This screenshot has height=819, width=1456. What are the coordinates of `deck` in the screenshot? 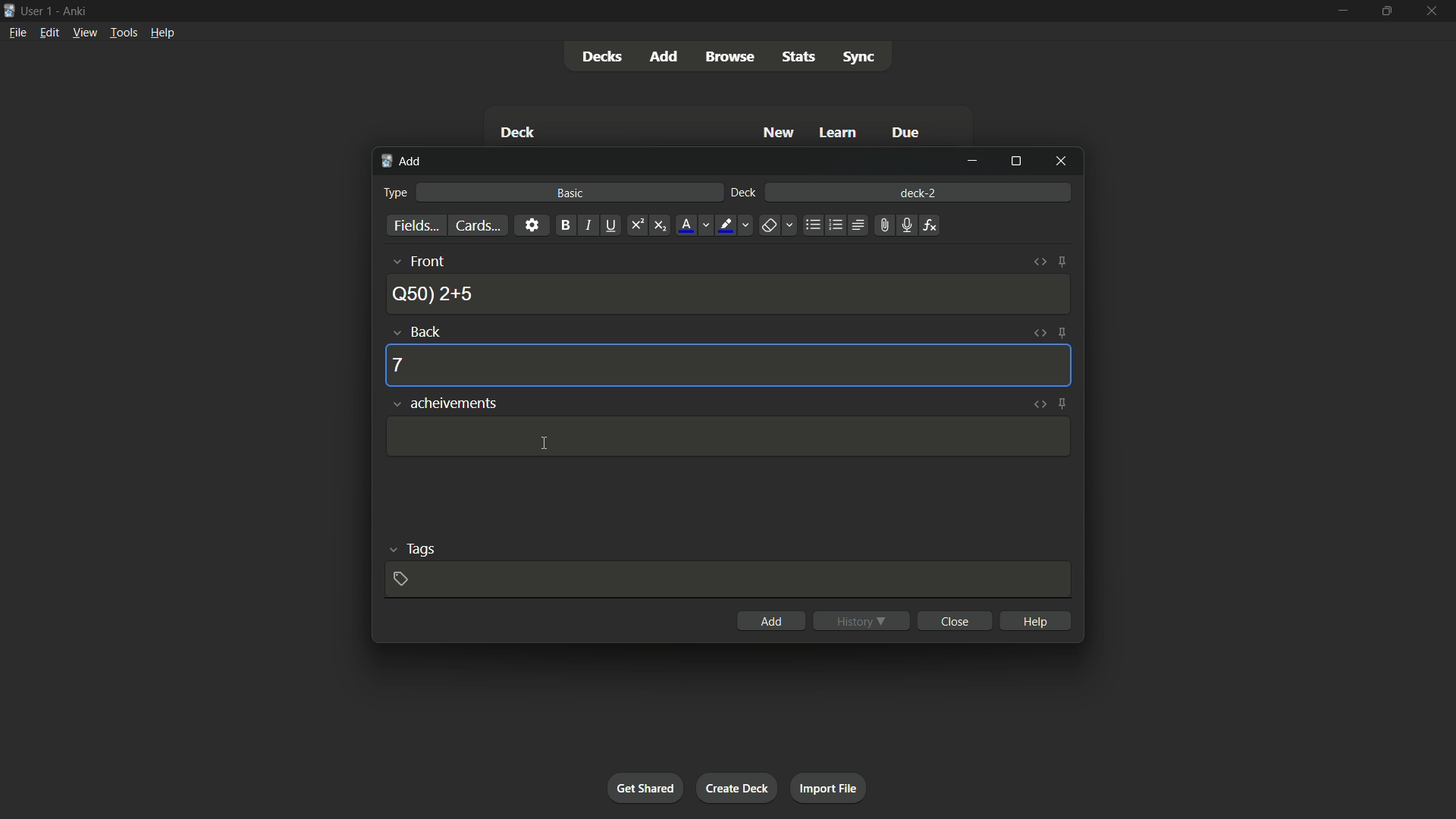 It's located at (743, 193).